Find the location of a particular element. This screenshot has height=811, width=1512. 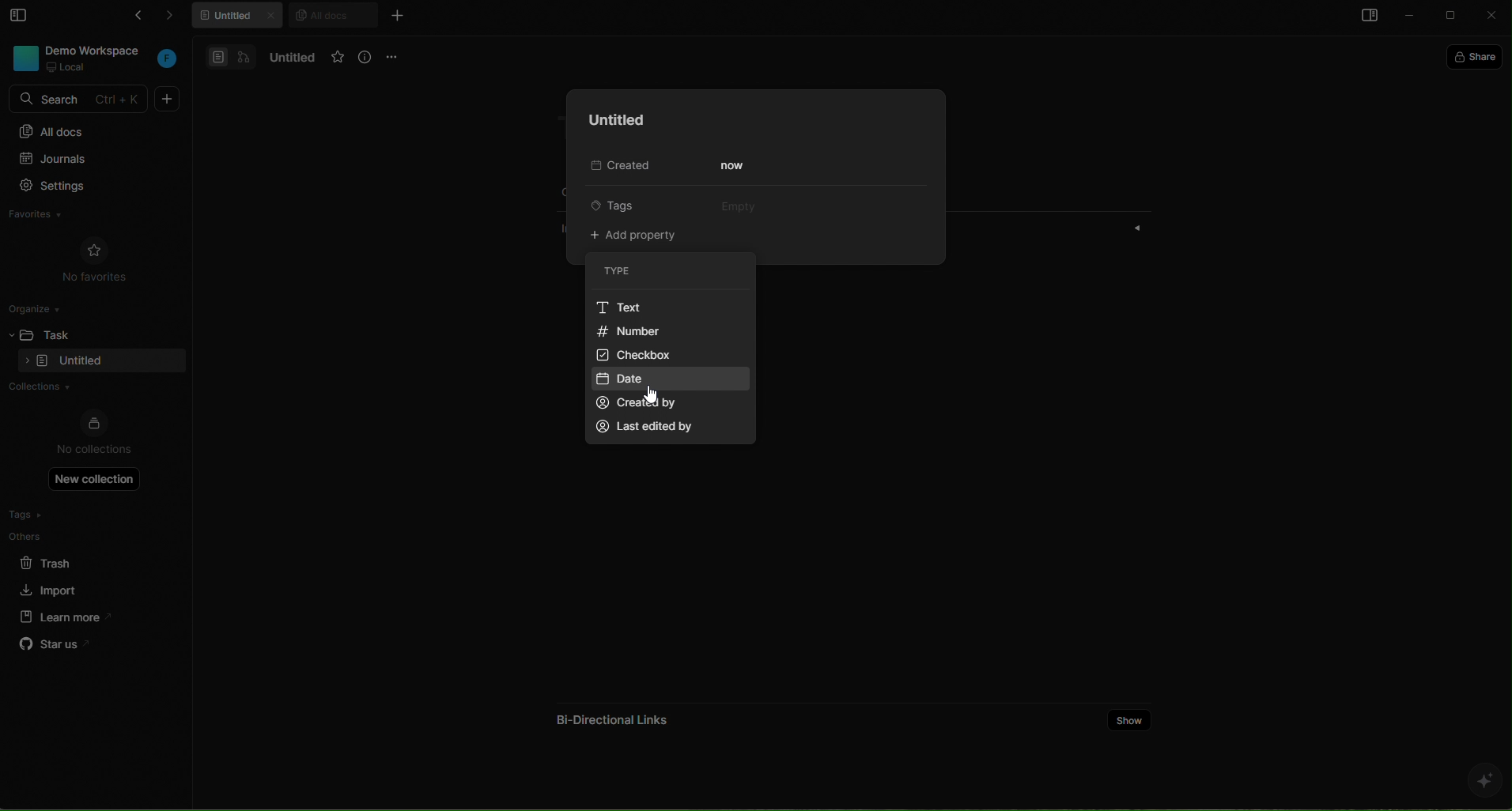

untitled is located at coordinates (289, 58).